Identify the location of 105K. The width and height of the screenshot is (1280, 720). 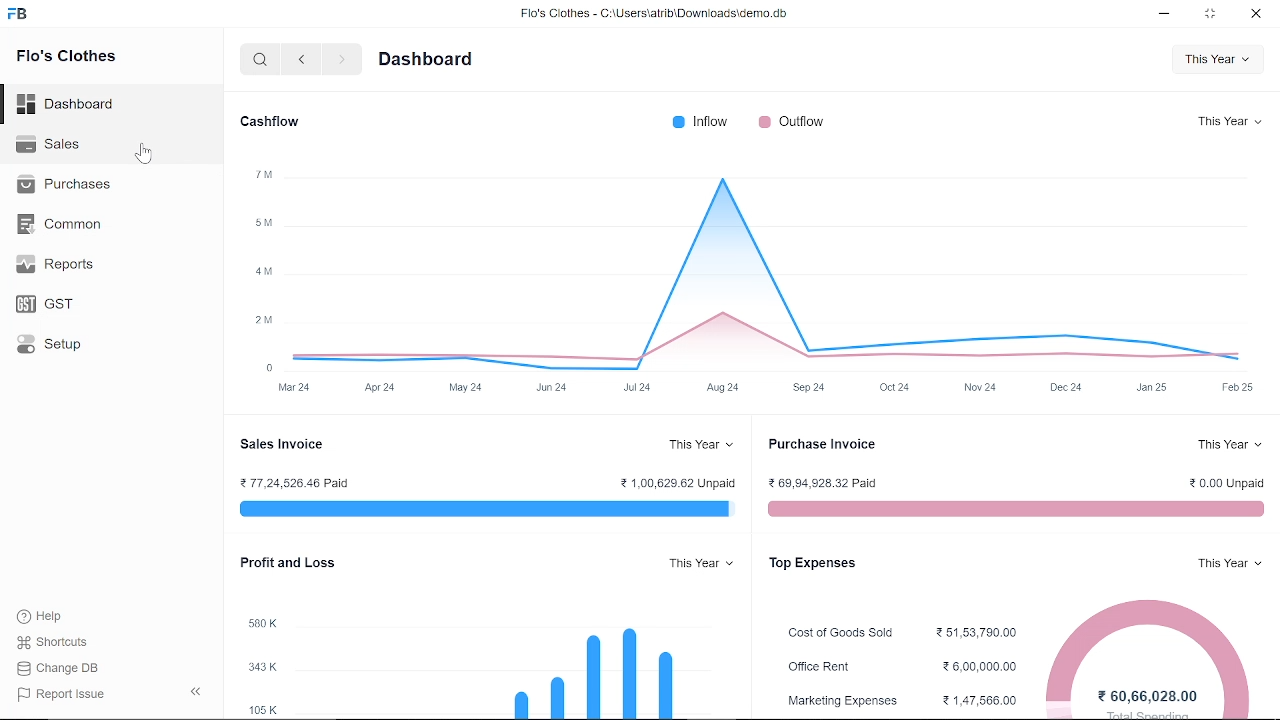
(265, 708).